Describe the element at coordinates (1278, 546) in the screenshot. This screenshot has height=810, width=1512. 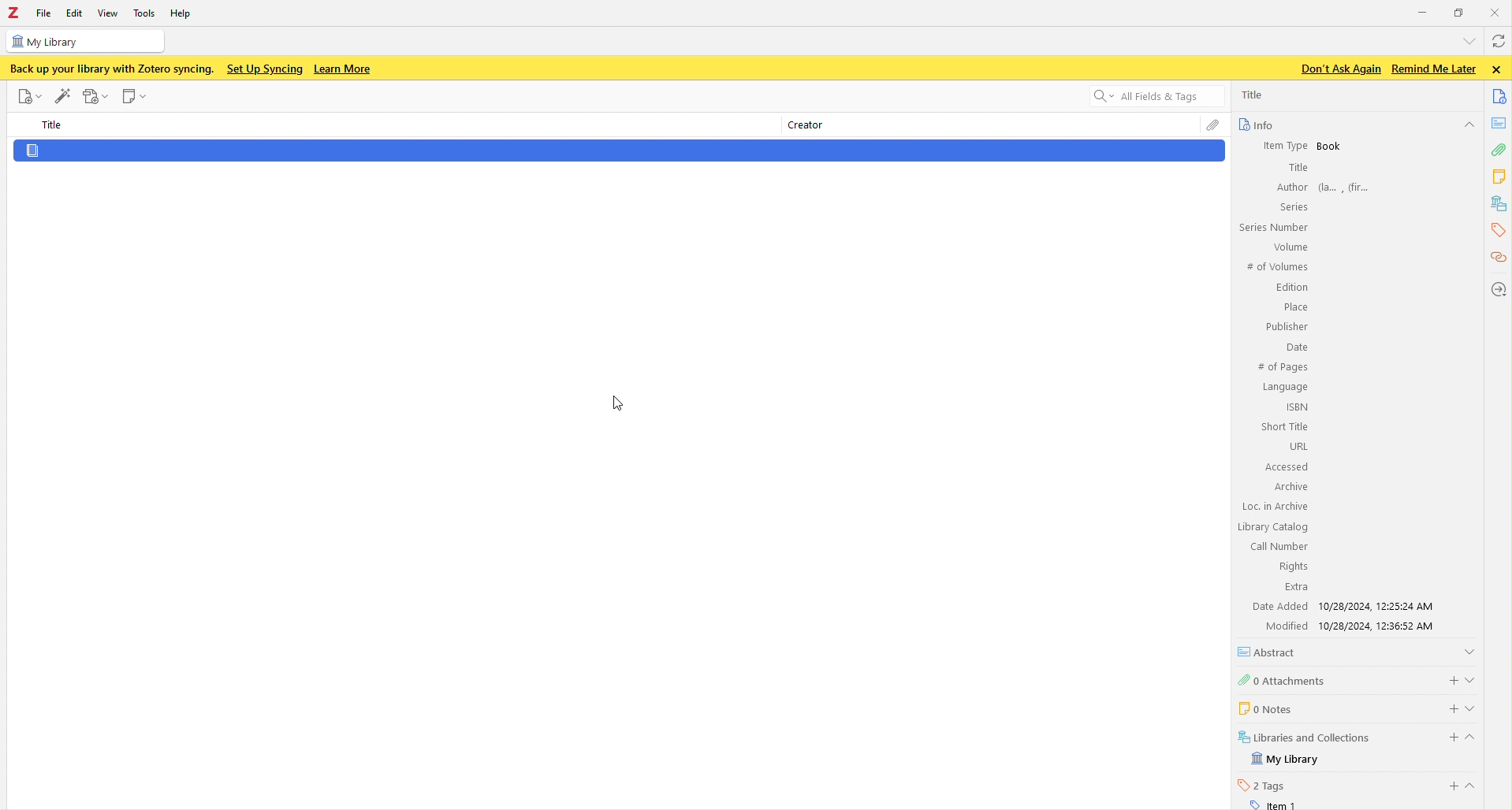
I see `Call Number` at that location.